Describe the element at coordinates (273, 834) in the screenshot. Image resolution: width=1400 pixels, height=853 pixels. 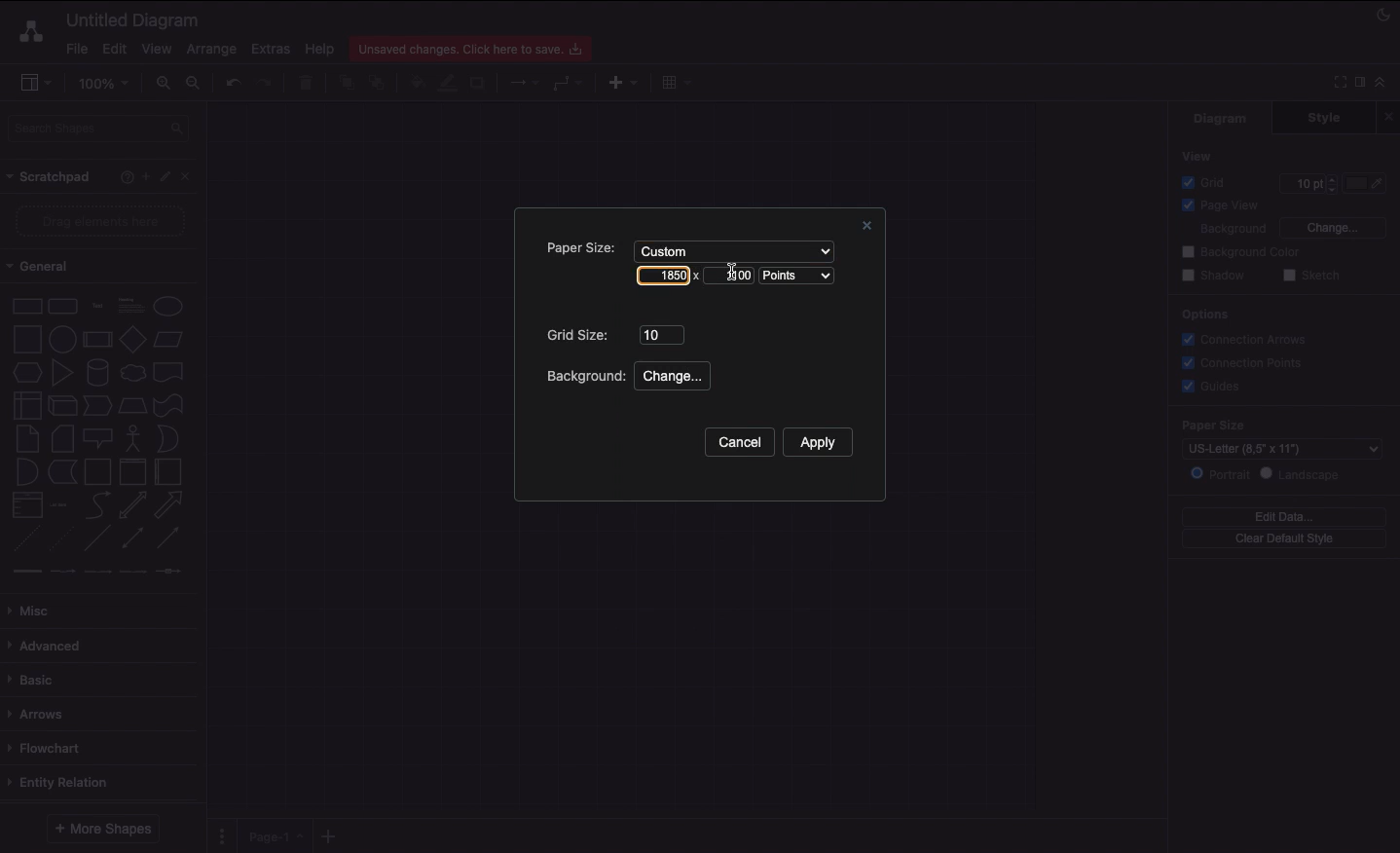
I see `Page 1` at that location.